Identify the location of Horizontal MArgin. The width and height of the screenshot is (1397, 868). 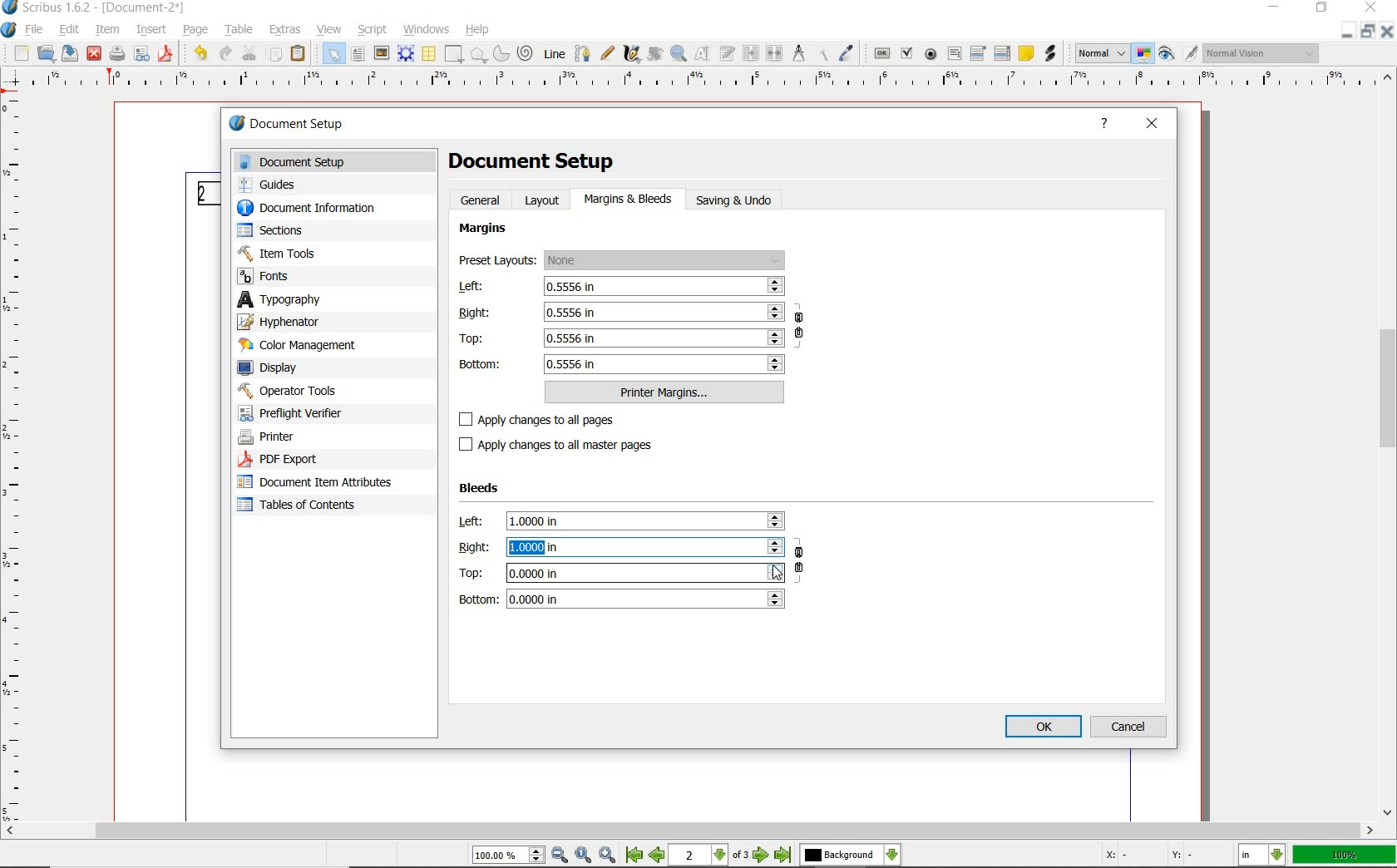
(693, 82).